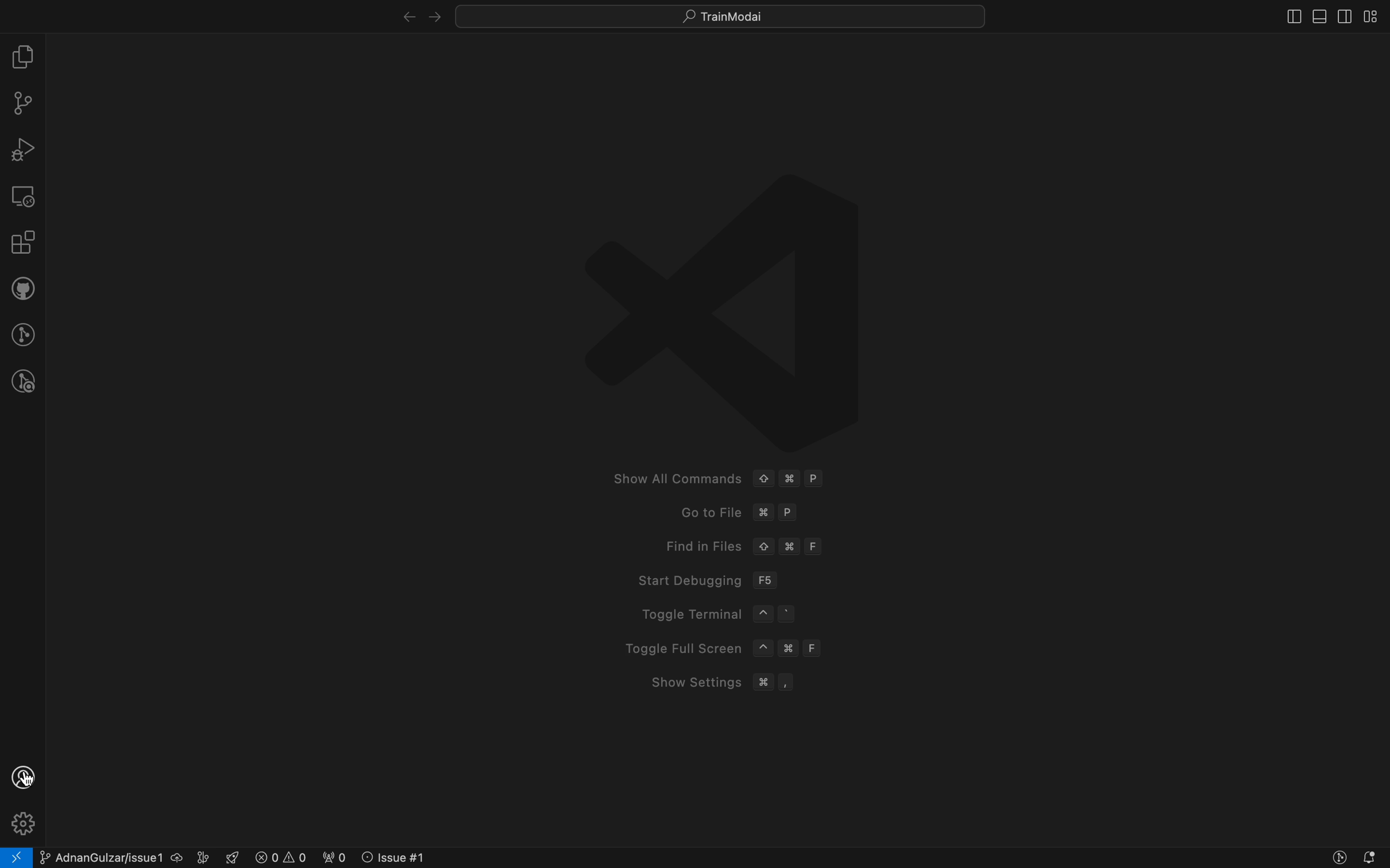 Image resolution: width=1390 pixels, height=868 pixels. I want to click on toog;e primary bar, so click(1317, 17).